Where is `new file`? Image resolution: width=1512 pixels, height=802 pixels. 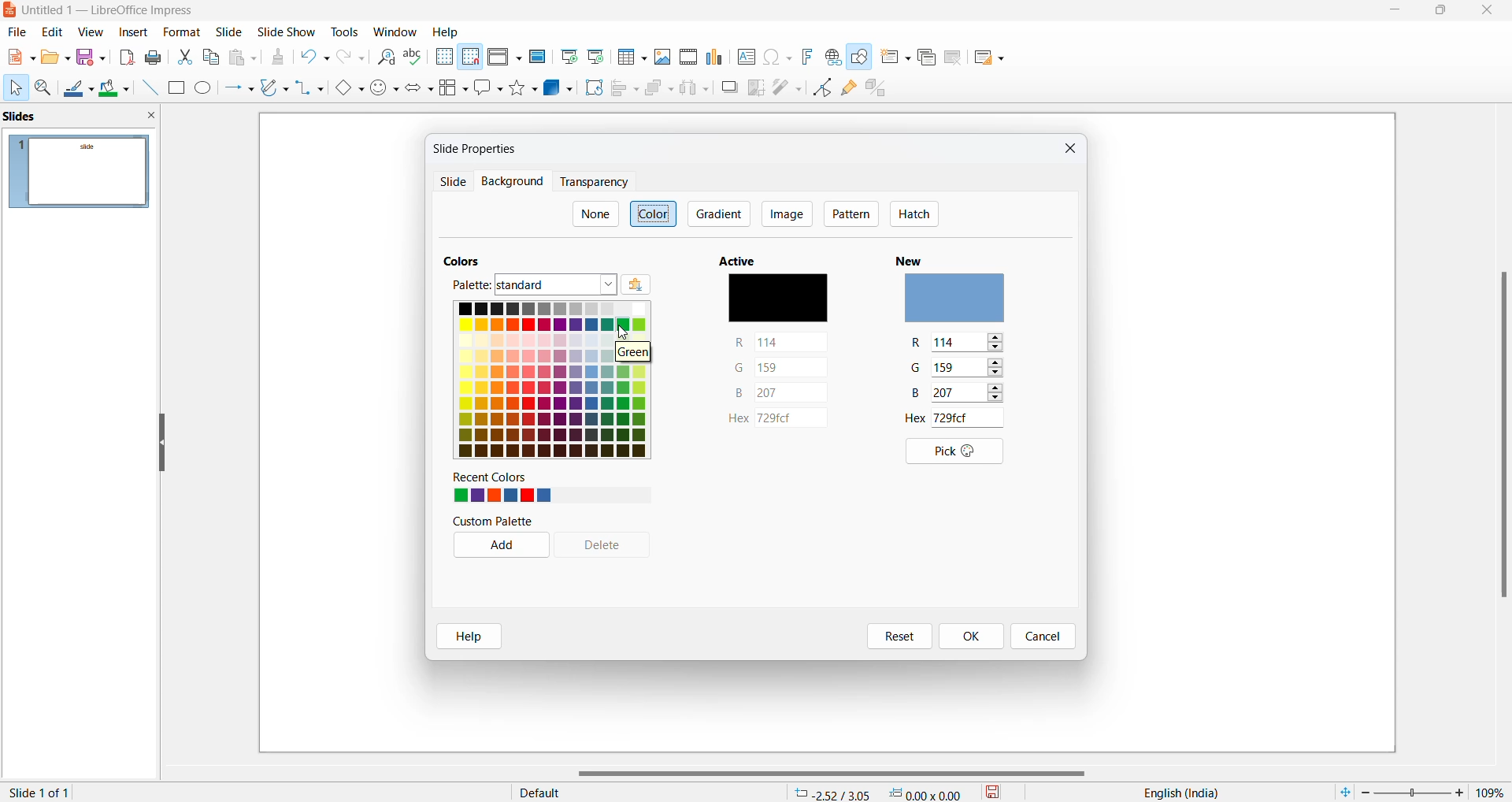
new file is located at coordinates (20, 61).